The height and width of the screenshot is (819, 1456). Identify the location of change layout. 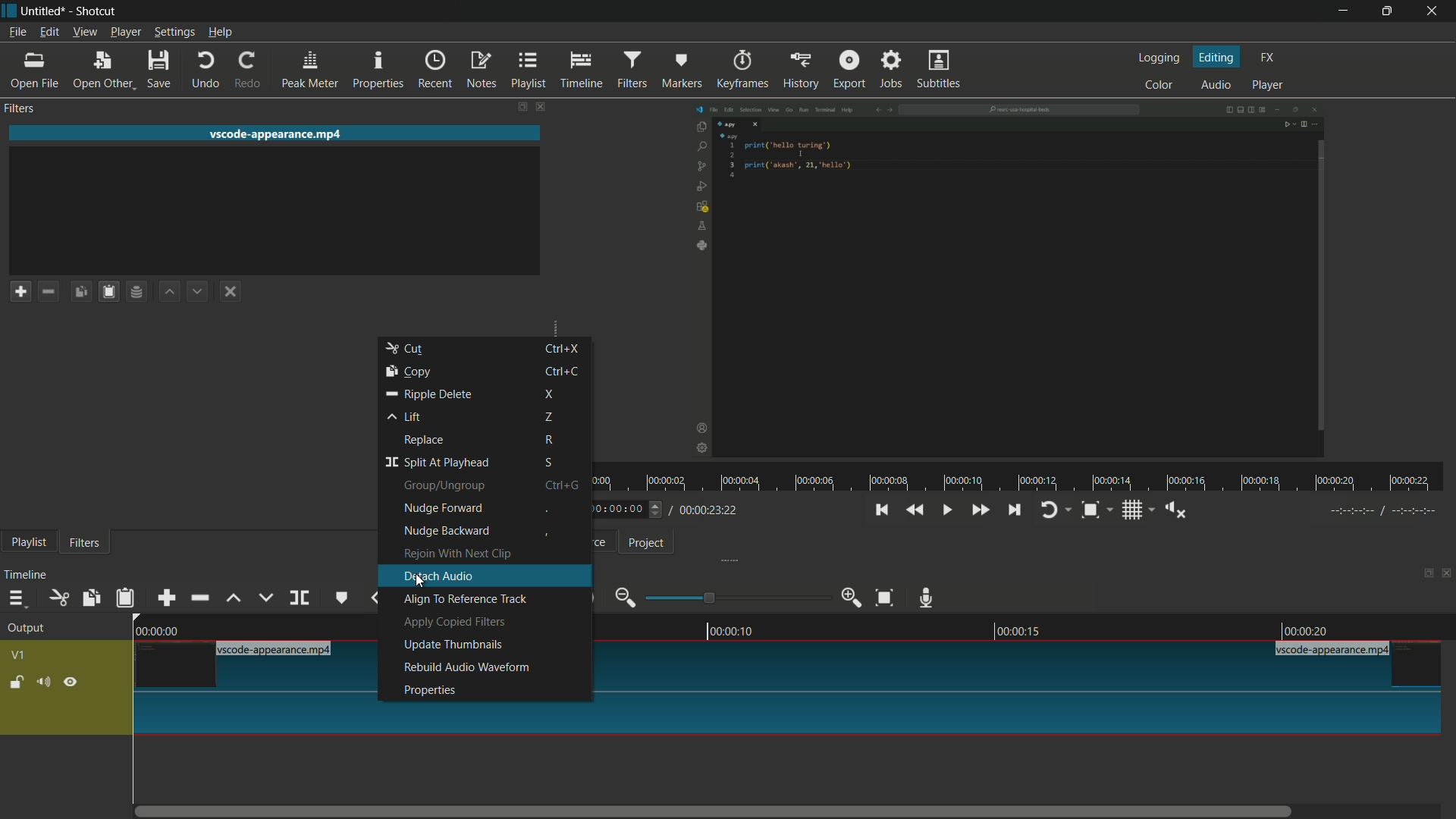
(516, 107).